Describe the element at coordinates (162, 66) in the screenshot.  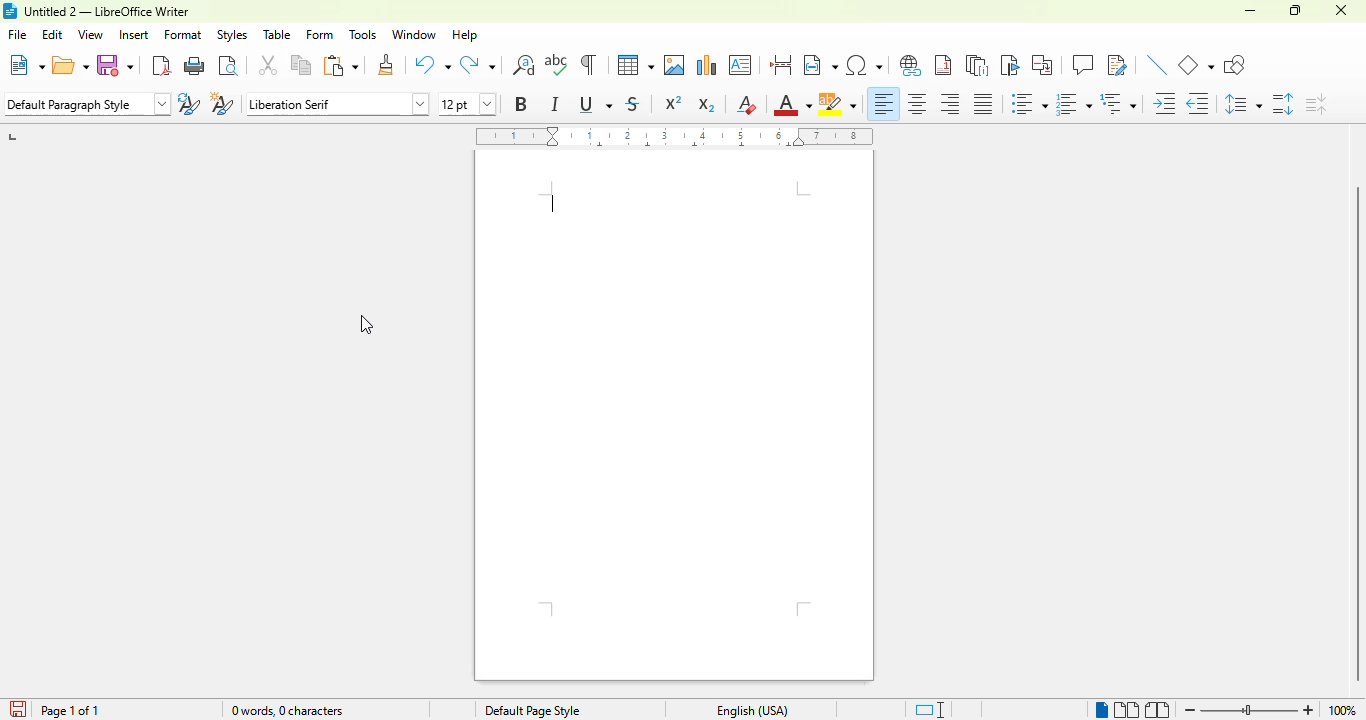
I see `export directly as PDF` at that location.